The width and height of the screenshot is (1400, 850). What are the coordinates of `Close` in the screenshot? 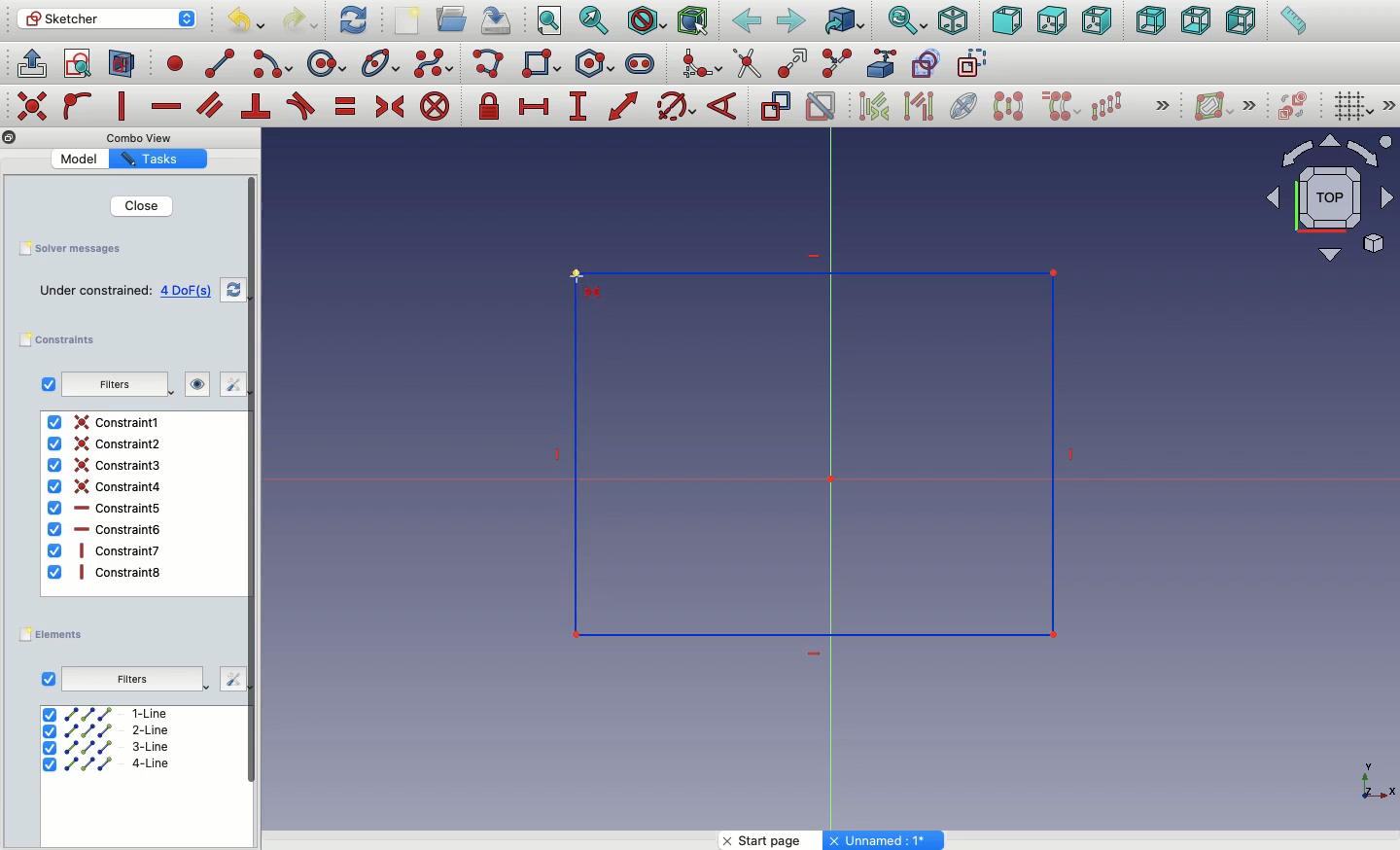 It's located at (129, 205).